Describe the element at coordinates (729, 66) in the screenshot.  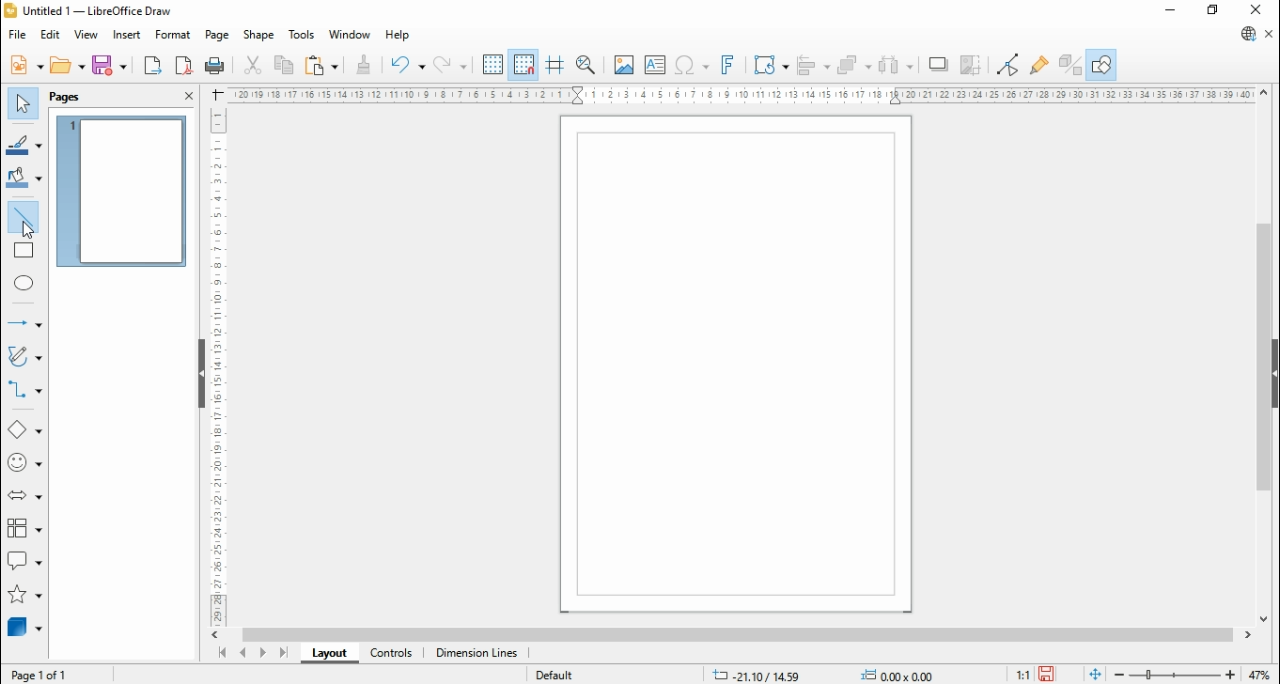
I see `insert fontwork text` at that location.